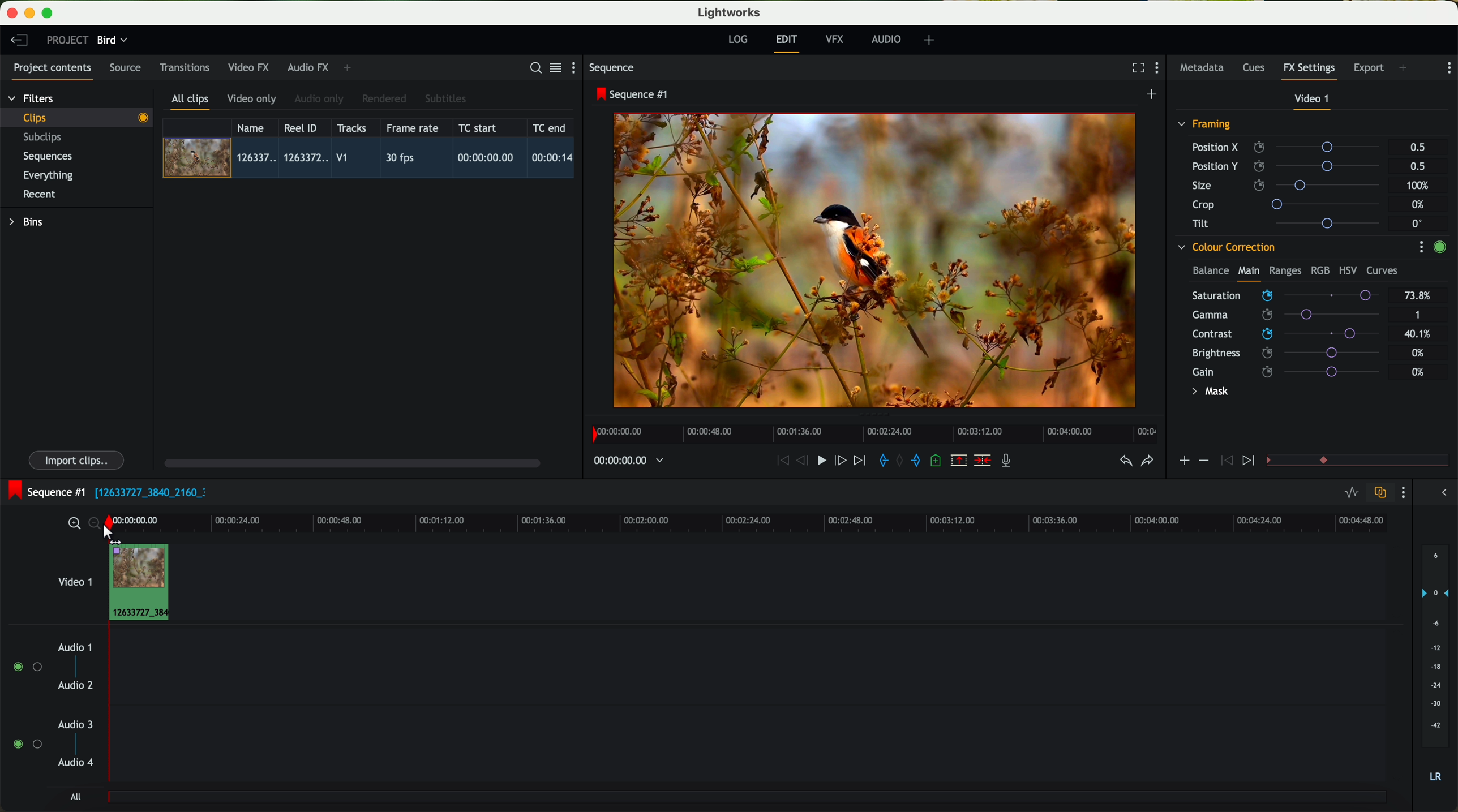  Describe the element at coordinates (27, 744) in the screenshot. I see `enable audio` at that location.